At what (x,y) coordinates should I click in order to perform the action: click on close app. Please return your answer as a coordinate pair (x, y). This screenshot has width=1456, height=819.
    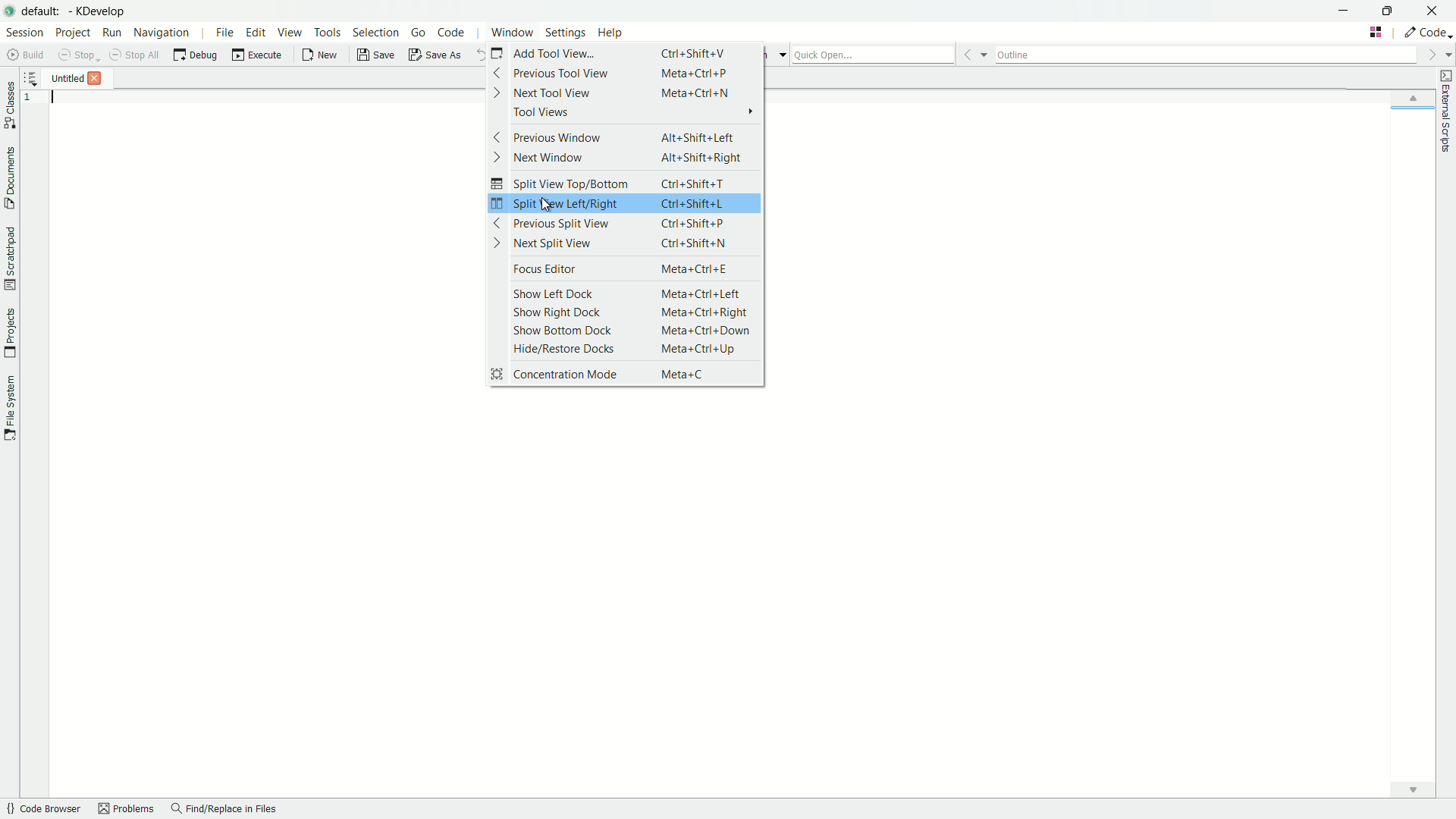
    Looking at the image, I should click on (1436, 11).